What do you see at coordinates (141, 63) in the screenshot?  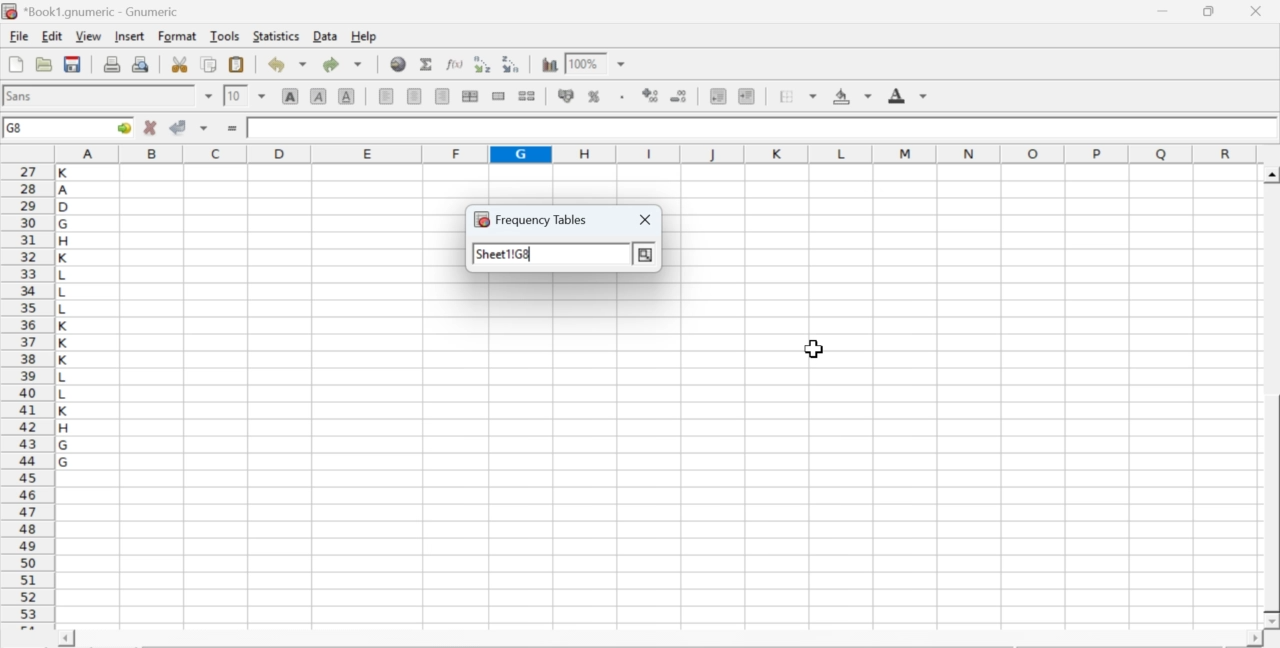 I see `print preview` at bounding box center [141, 63].